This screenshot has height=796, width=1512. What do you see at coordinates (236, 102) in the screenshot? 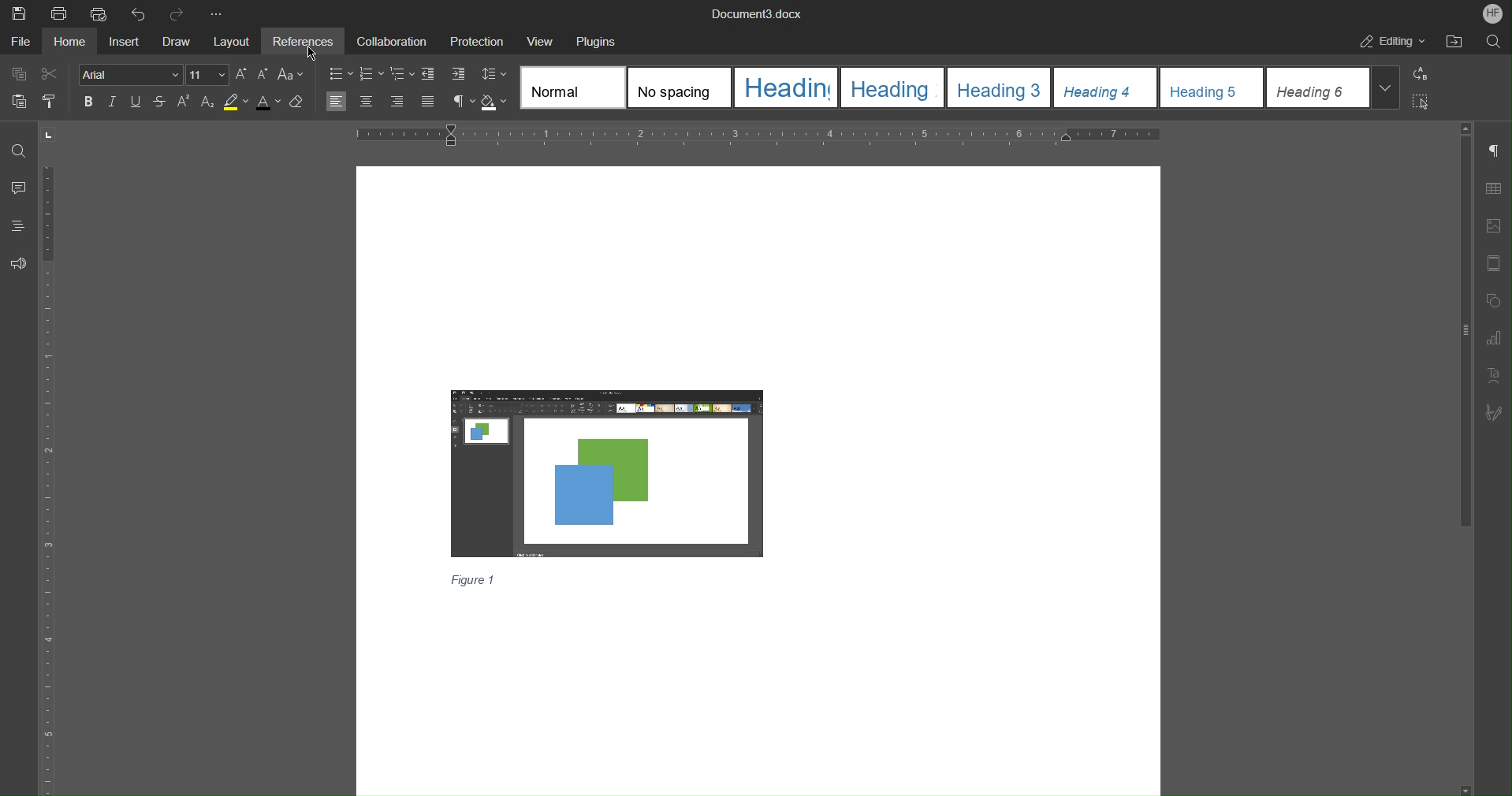
I see `Highlight` at bounding box center [236, 102].